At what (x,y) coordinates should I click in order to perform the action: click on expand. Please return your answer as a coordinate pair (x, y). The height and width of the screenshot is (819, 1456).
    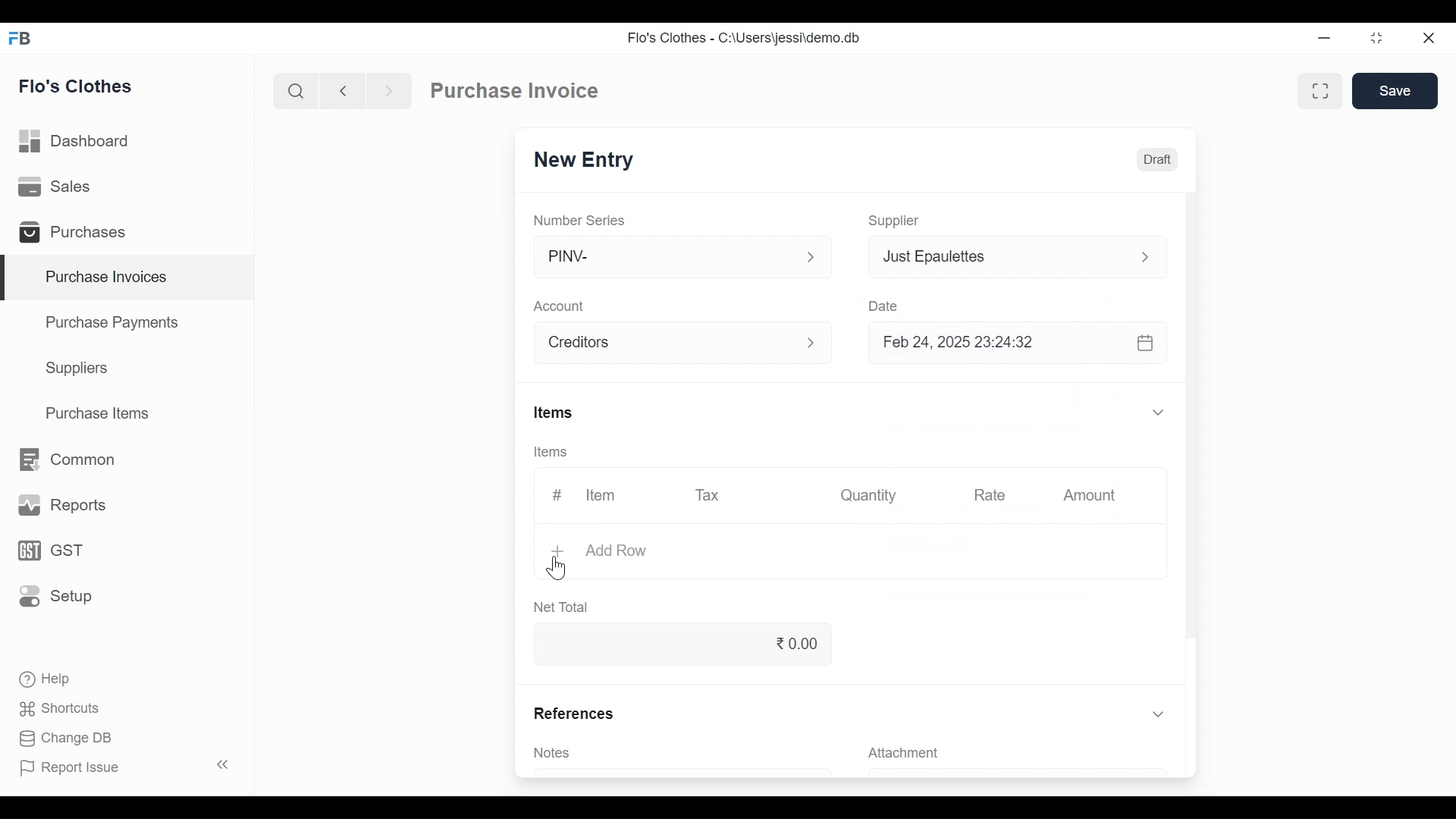
    Looking at the image, I should click on (811, 257).